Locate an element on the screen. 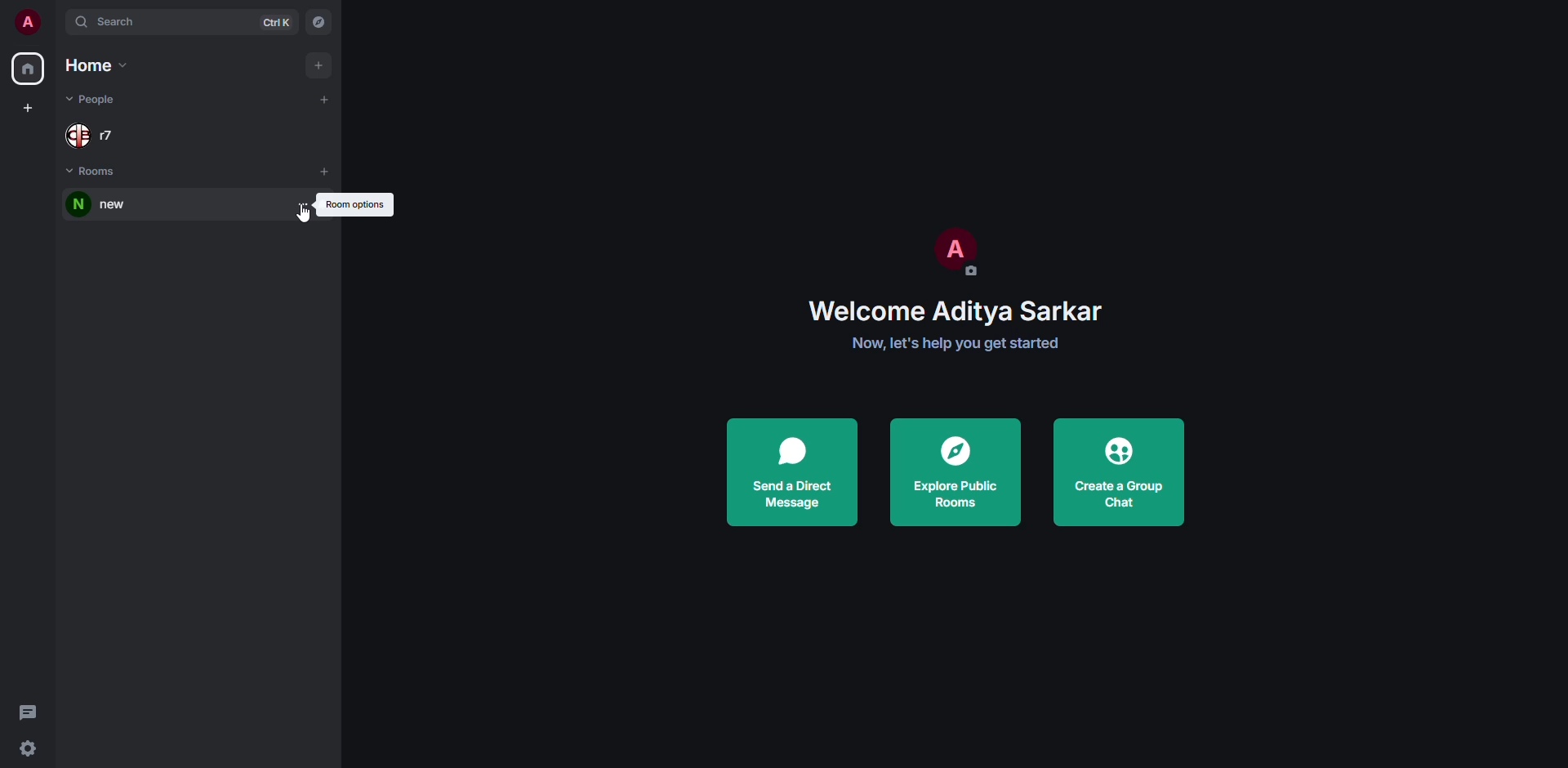 This screenshot has height=768, width=1568. ctrl K is located at coordinates (277, 22).